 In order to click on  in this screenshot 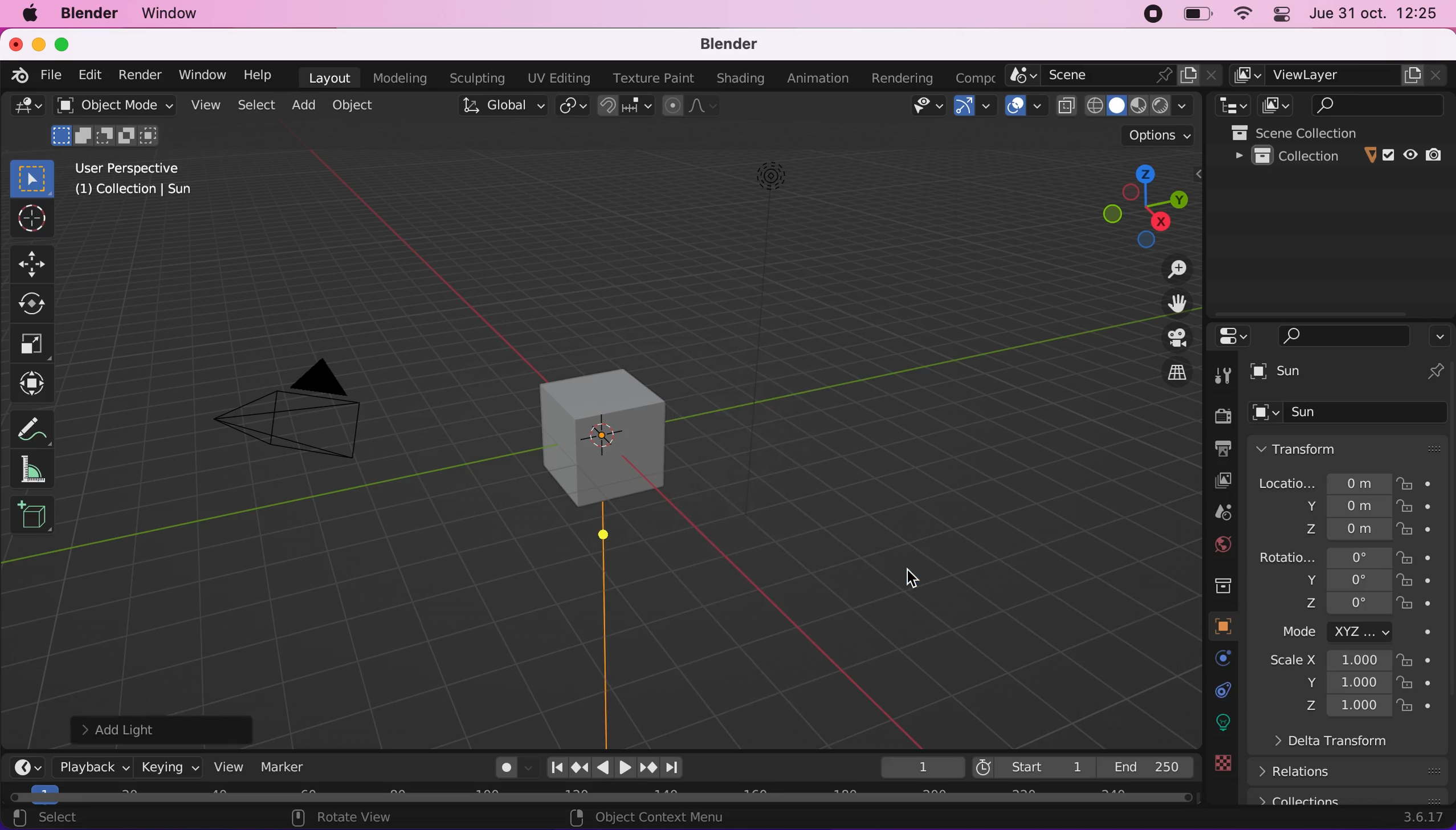, I will do `click(1225, 373)`.